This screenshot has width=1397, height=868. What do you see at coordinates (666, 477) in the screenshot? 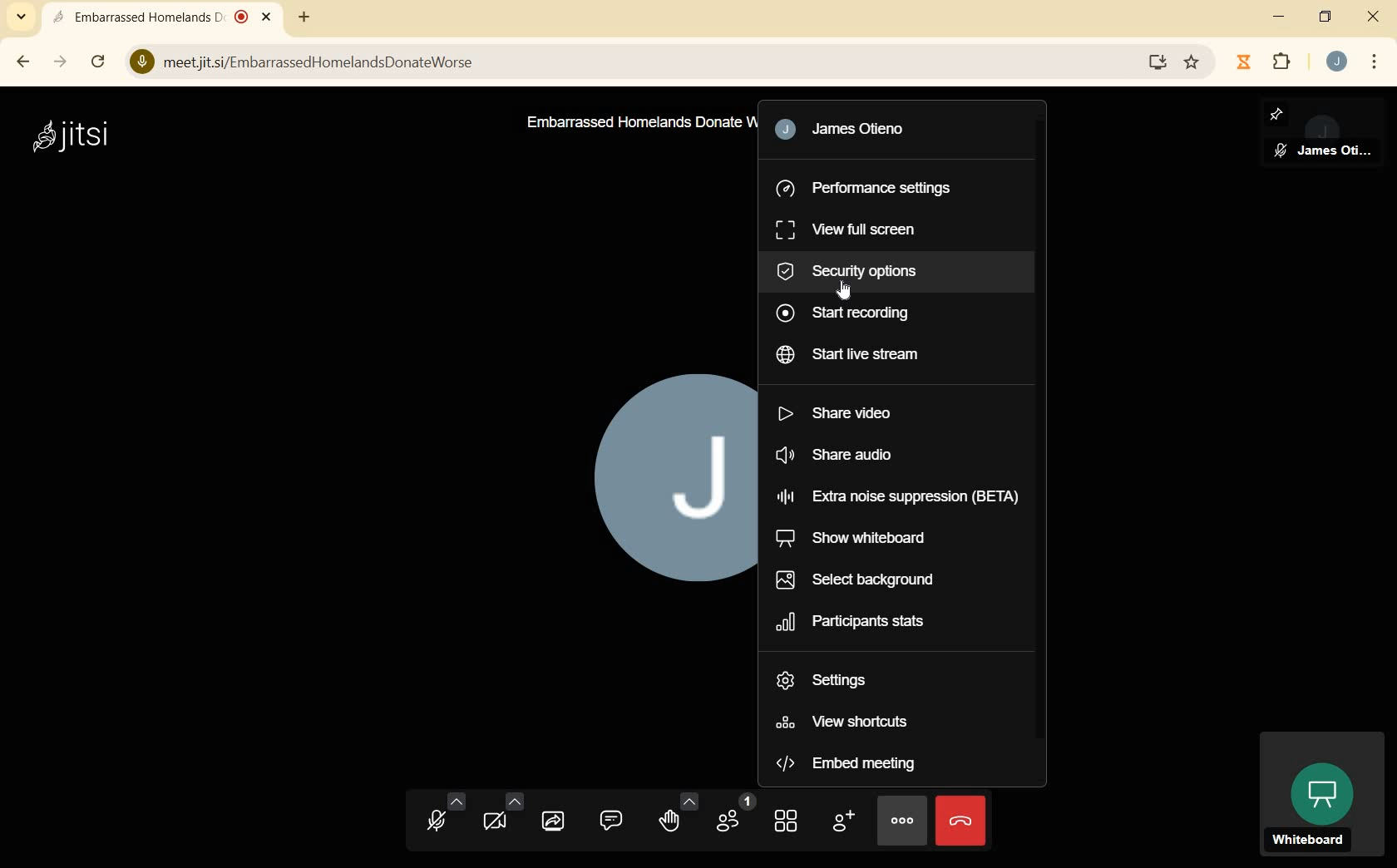
I see `member` at bounding box center [666, 477].